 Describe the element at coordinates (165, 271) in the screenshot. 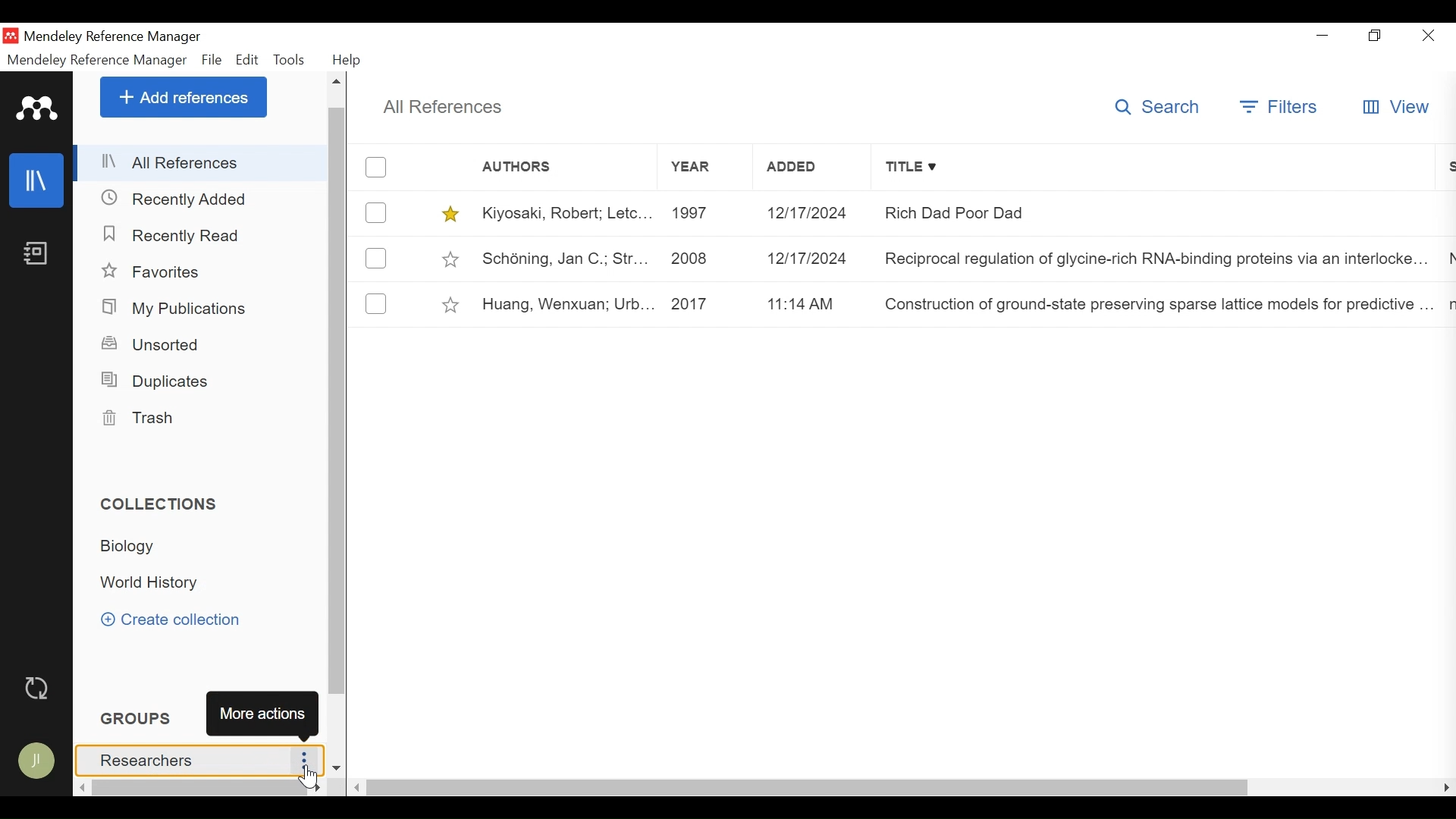

I see `Favorites` at that location.